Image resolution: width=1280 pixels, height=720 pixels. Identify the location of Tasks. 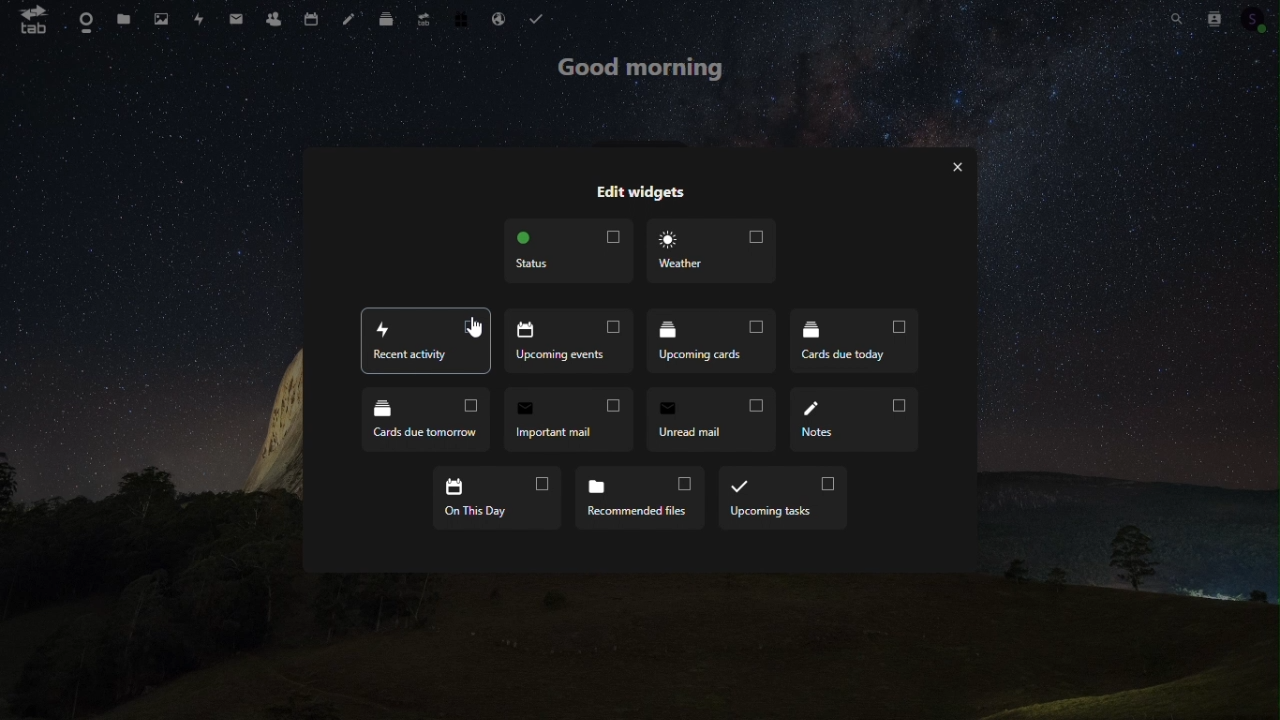
(536, 16).